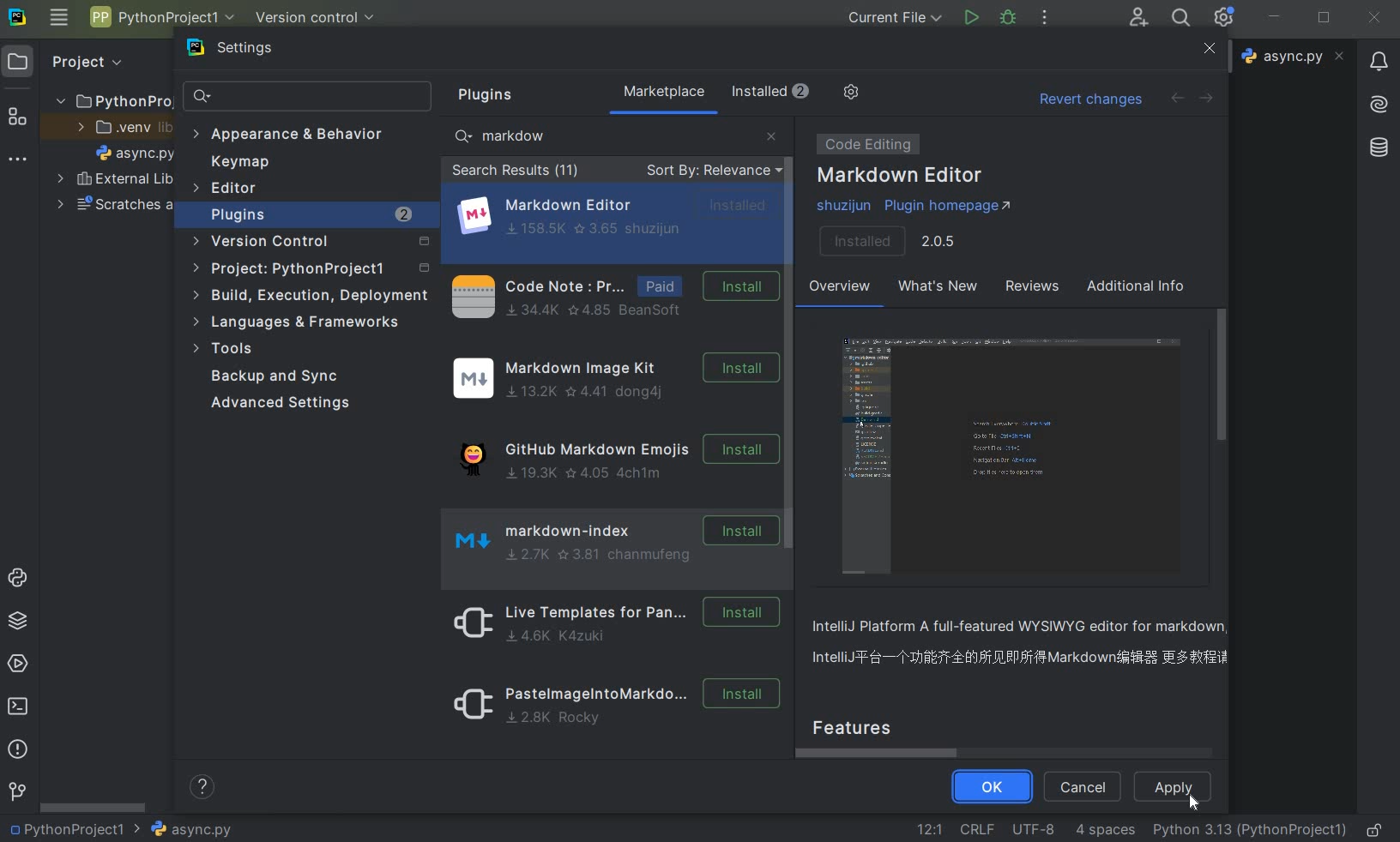  Describe the element at coordinates (611, 295) in the screenshot. I see `code note` at that location.